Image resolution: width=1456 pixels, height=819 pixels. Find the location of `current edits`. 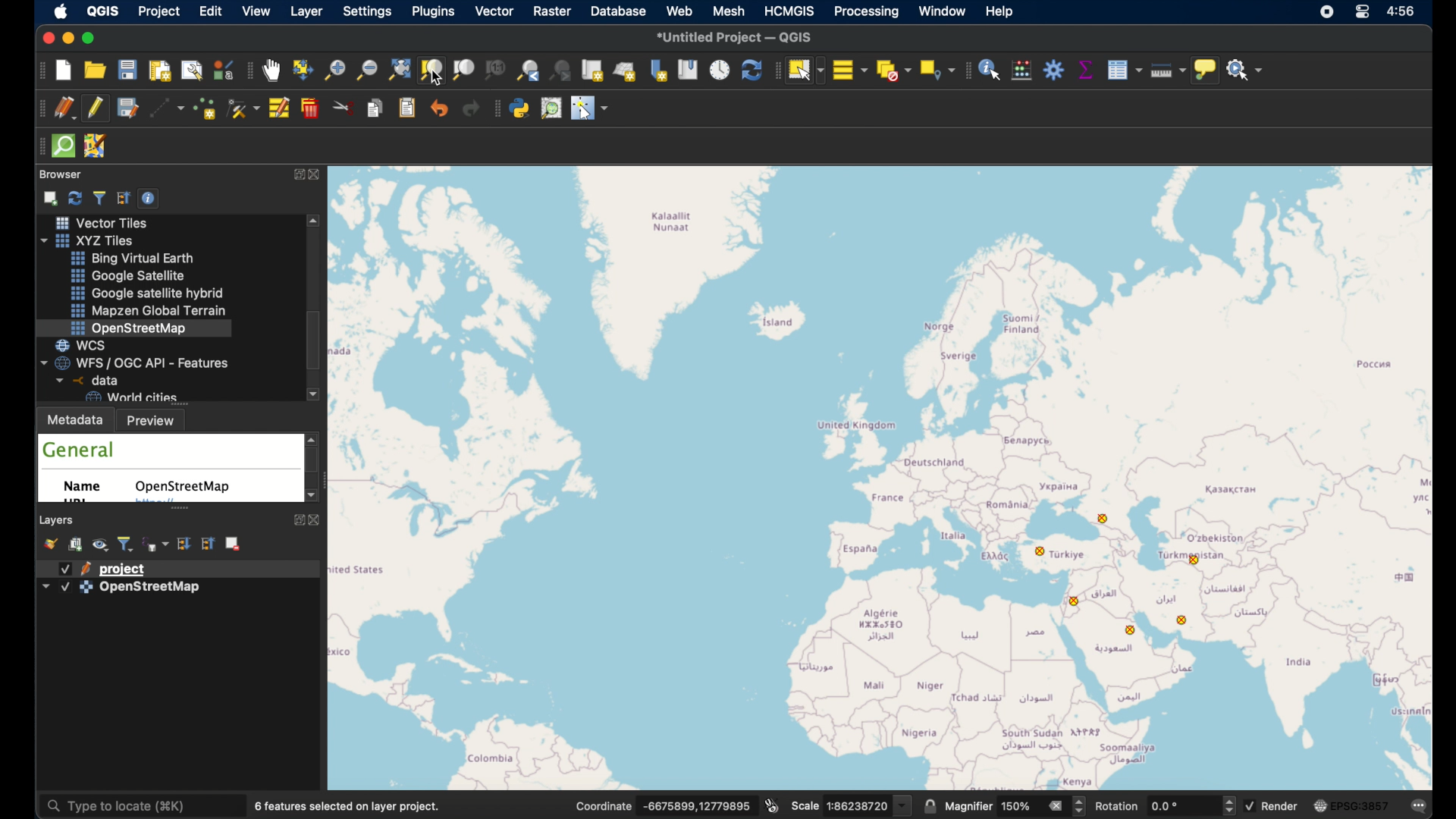

current edits is located at coordinates (64, 108).